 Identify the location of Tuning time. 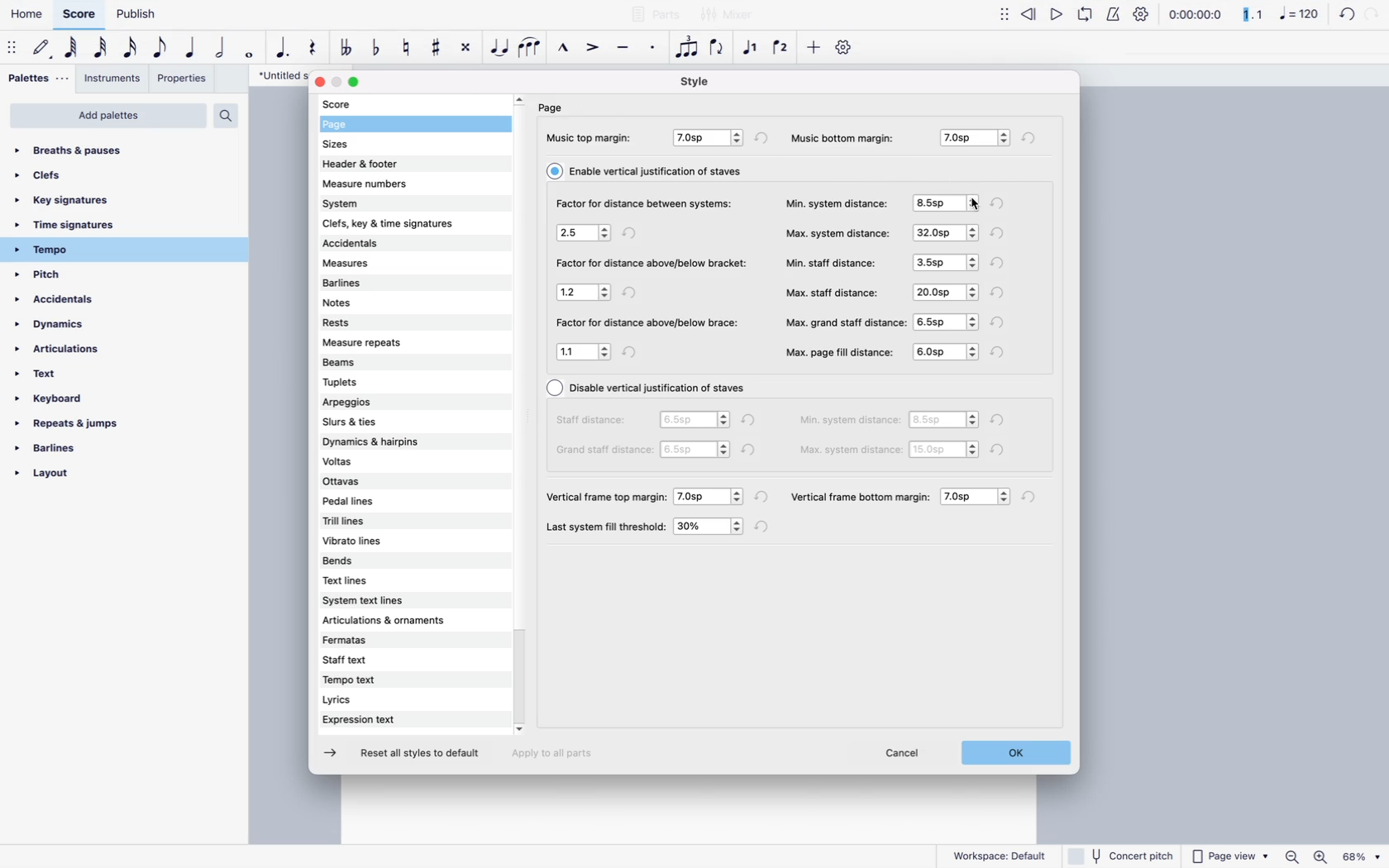
(1239, 16).